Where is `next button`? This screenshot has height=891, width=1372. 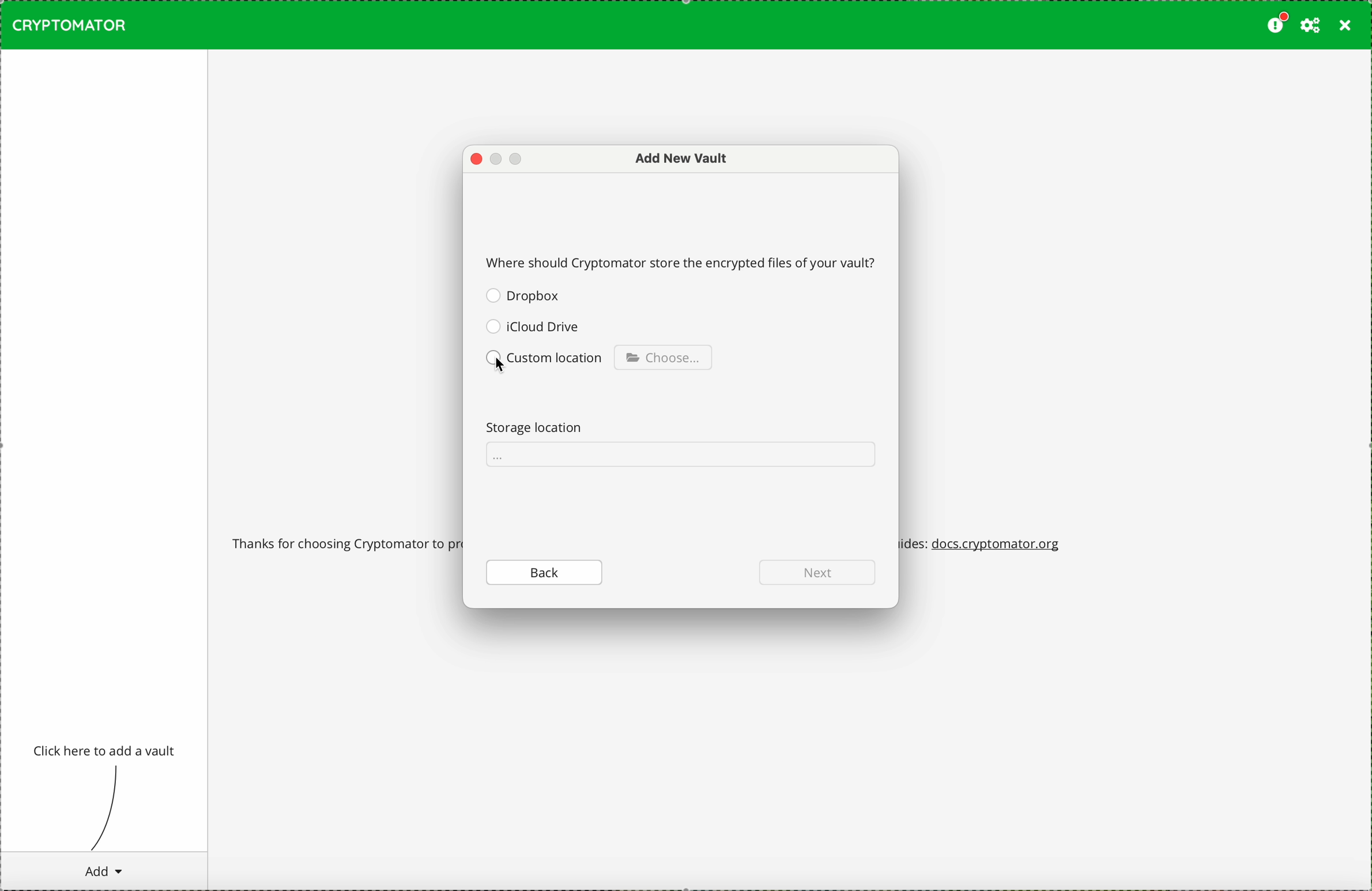 next button is located at coordinates (817, 572).